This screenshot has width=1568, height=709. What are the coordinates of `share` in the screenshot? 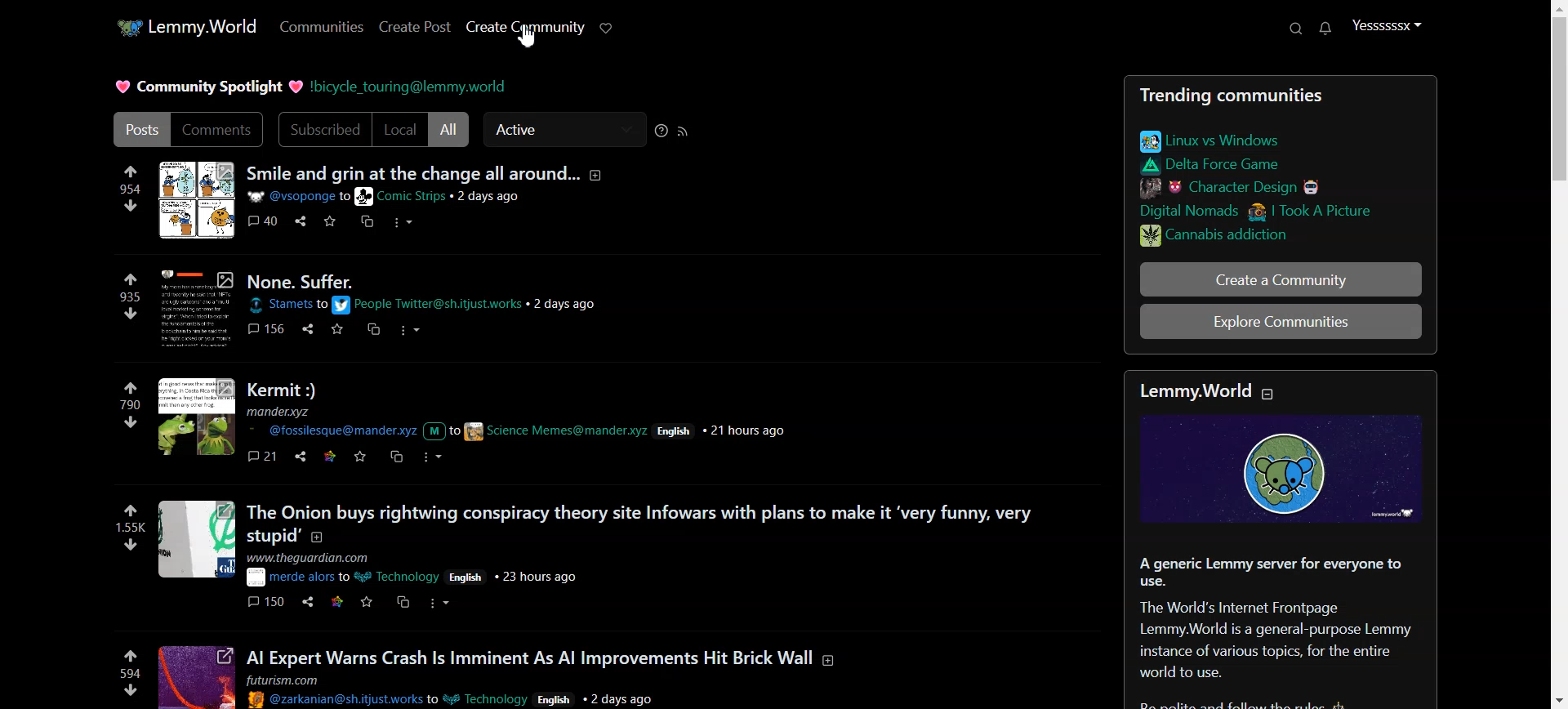 It's located at (311, 329).